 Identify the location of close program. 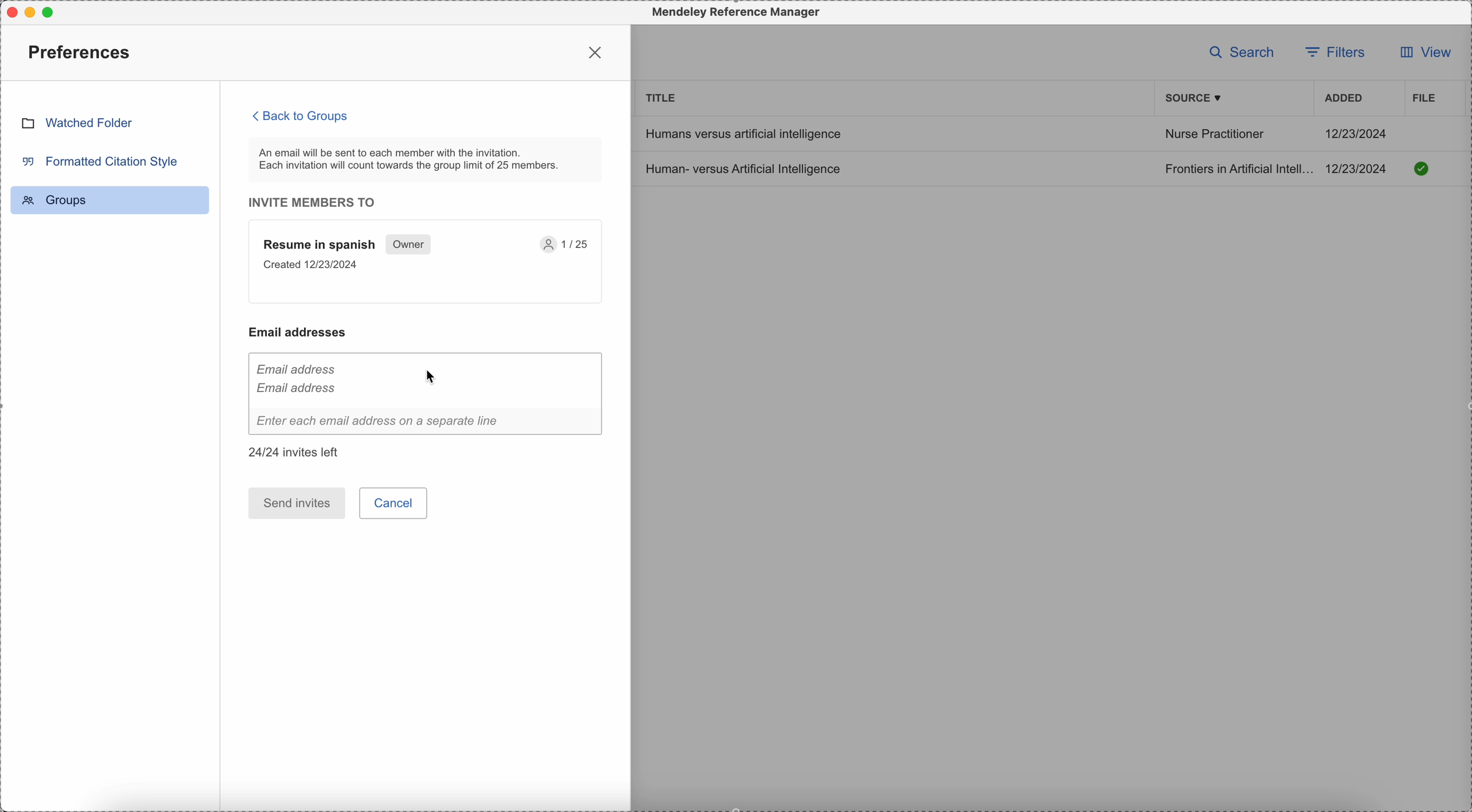
(9, 10).